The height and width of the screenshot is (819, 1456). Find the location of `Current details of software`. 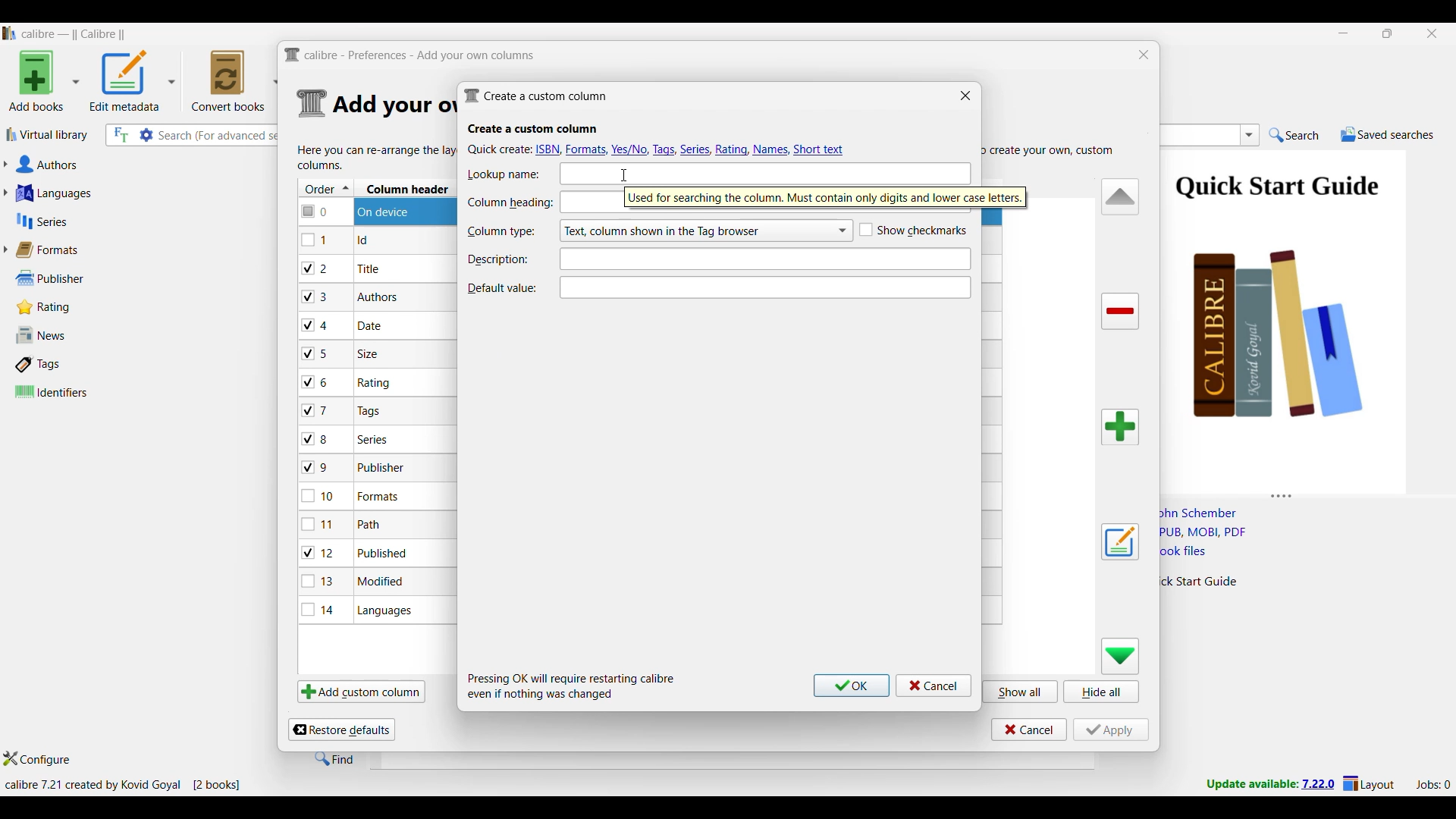

Current details of software is located at coordinates (122, 785).